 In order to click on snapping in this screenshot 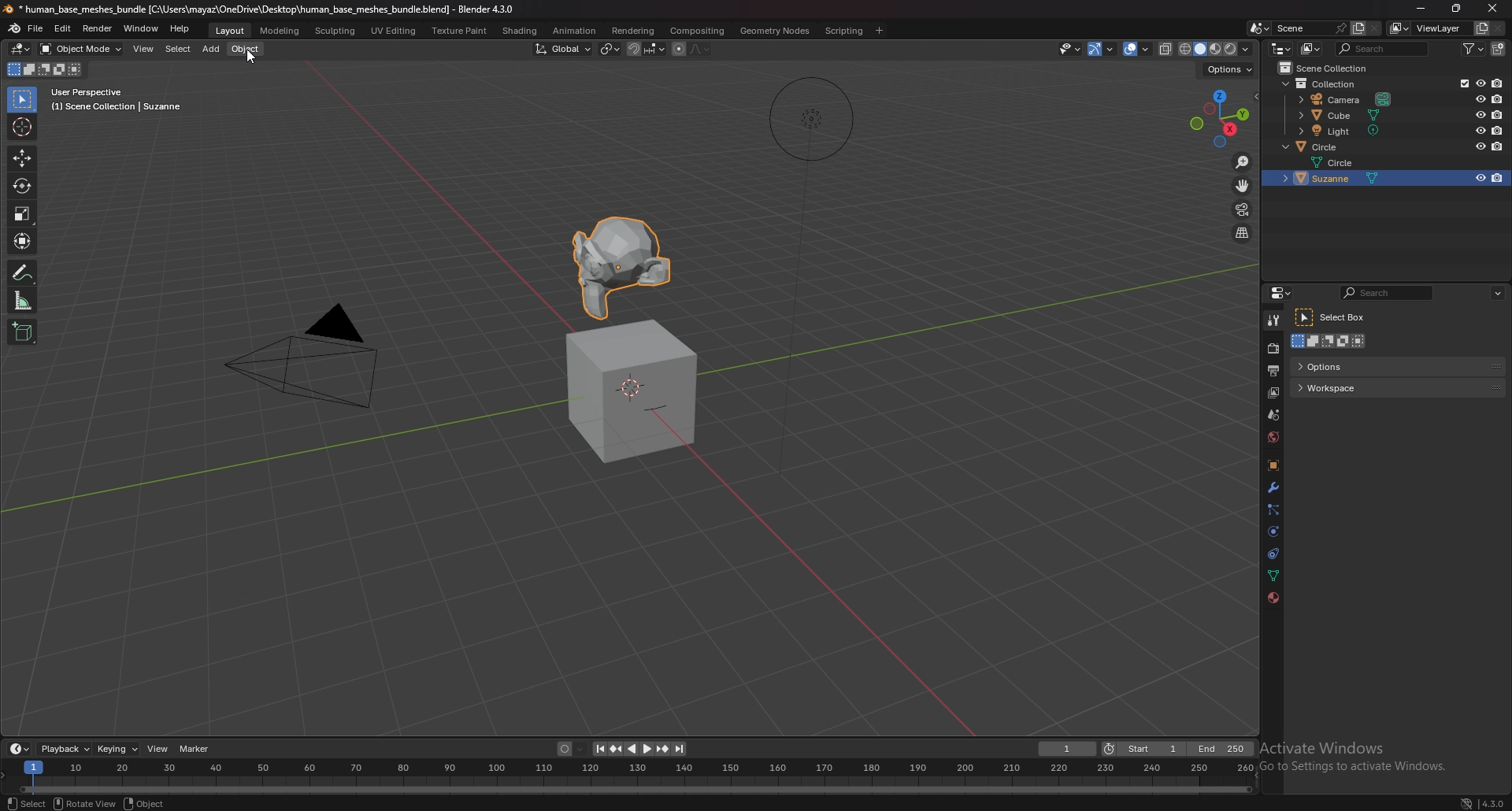, I will do `click(646, 49)`.